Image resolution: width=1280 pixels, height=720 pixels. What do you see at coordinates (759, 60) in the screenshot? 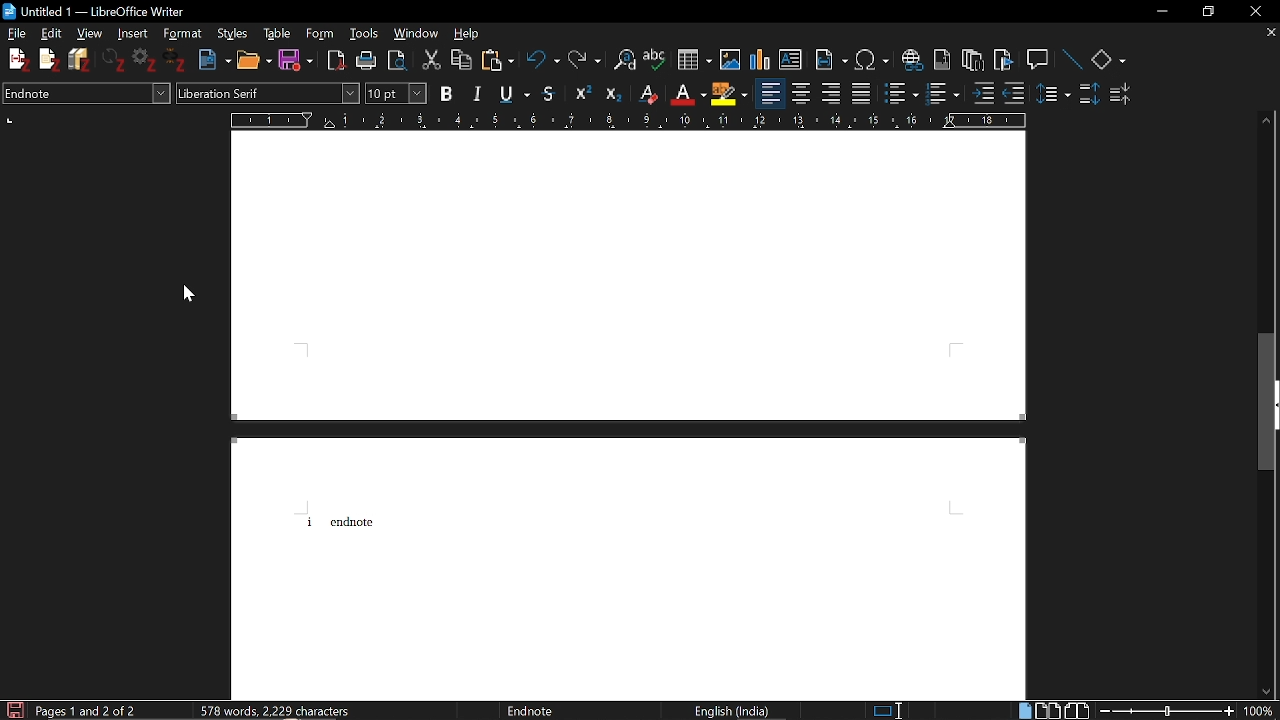
I see `Insert diagram` at bounding box center [759, 60].